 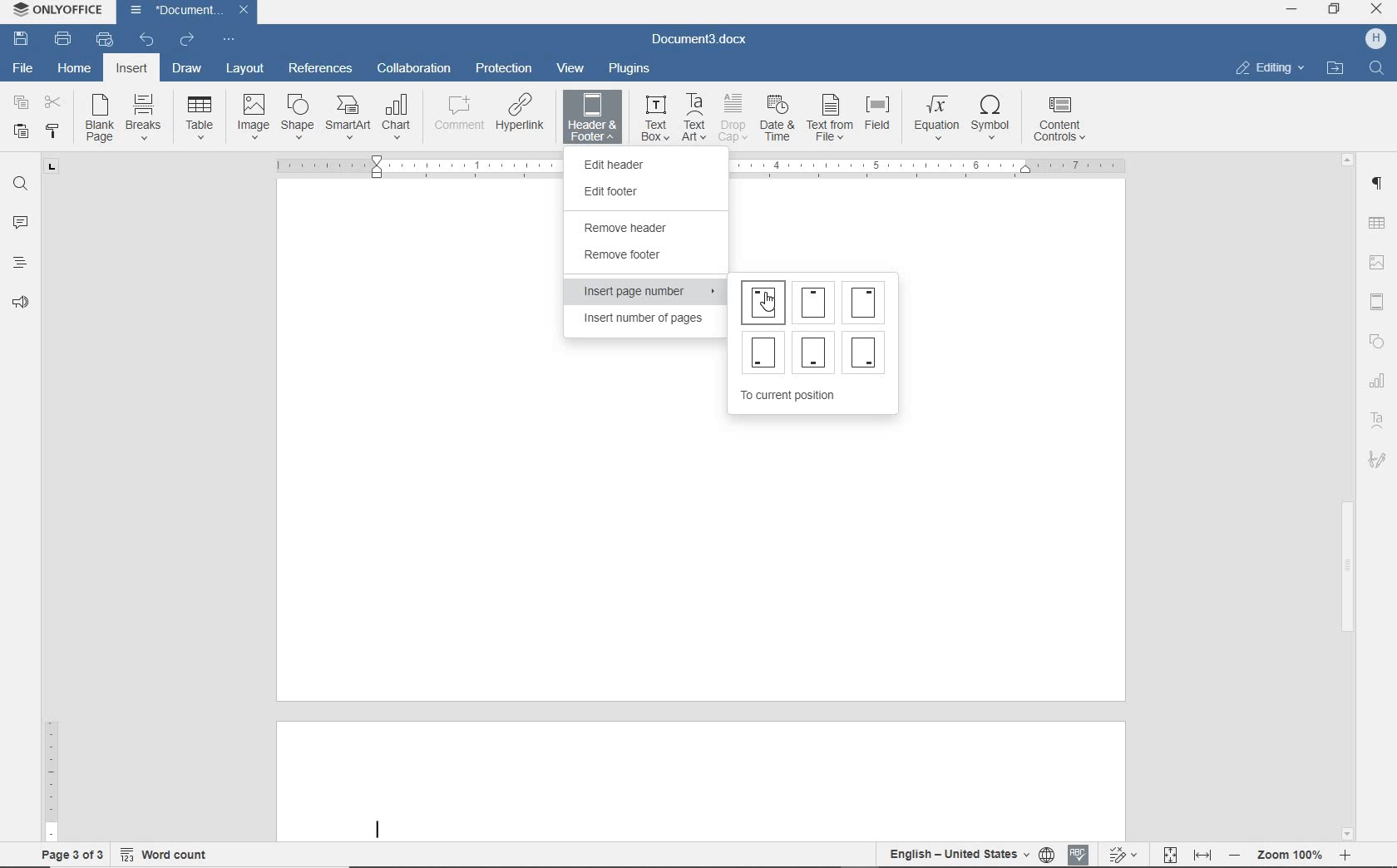 What do you see at coordinates (1346, 496) in the screenshot?
I see `SCROLLBAR` at bounding box center [1346, 496].